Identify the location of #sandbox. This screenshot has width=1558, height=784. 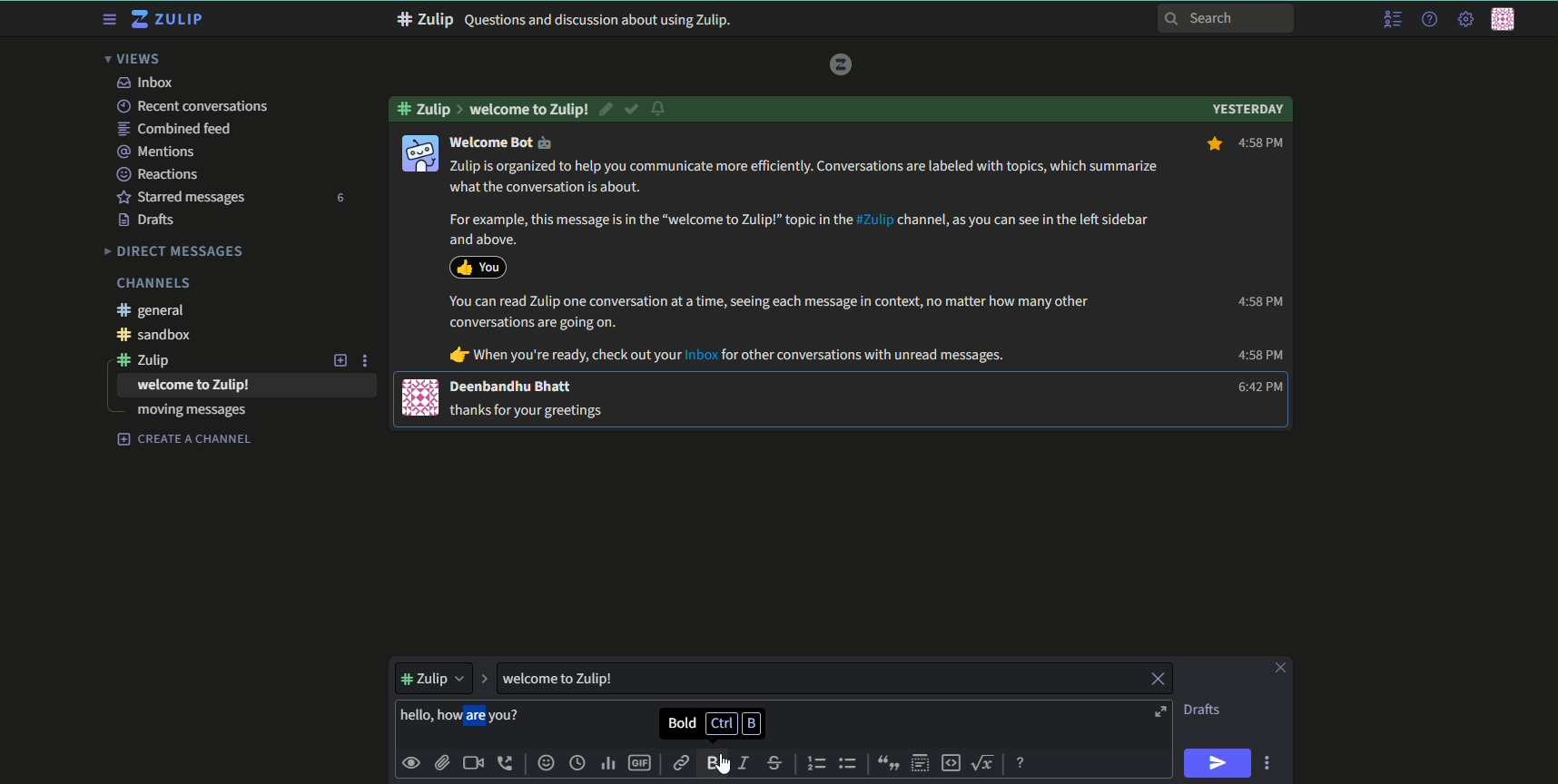
(161, 336).